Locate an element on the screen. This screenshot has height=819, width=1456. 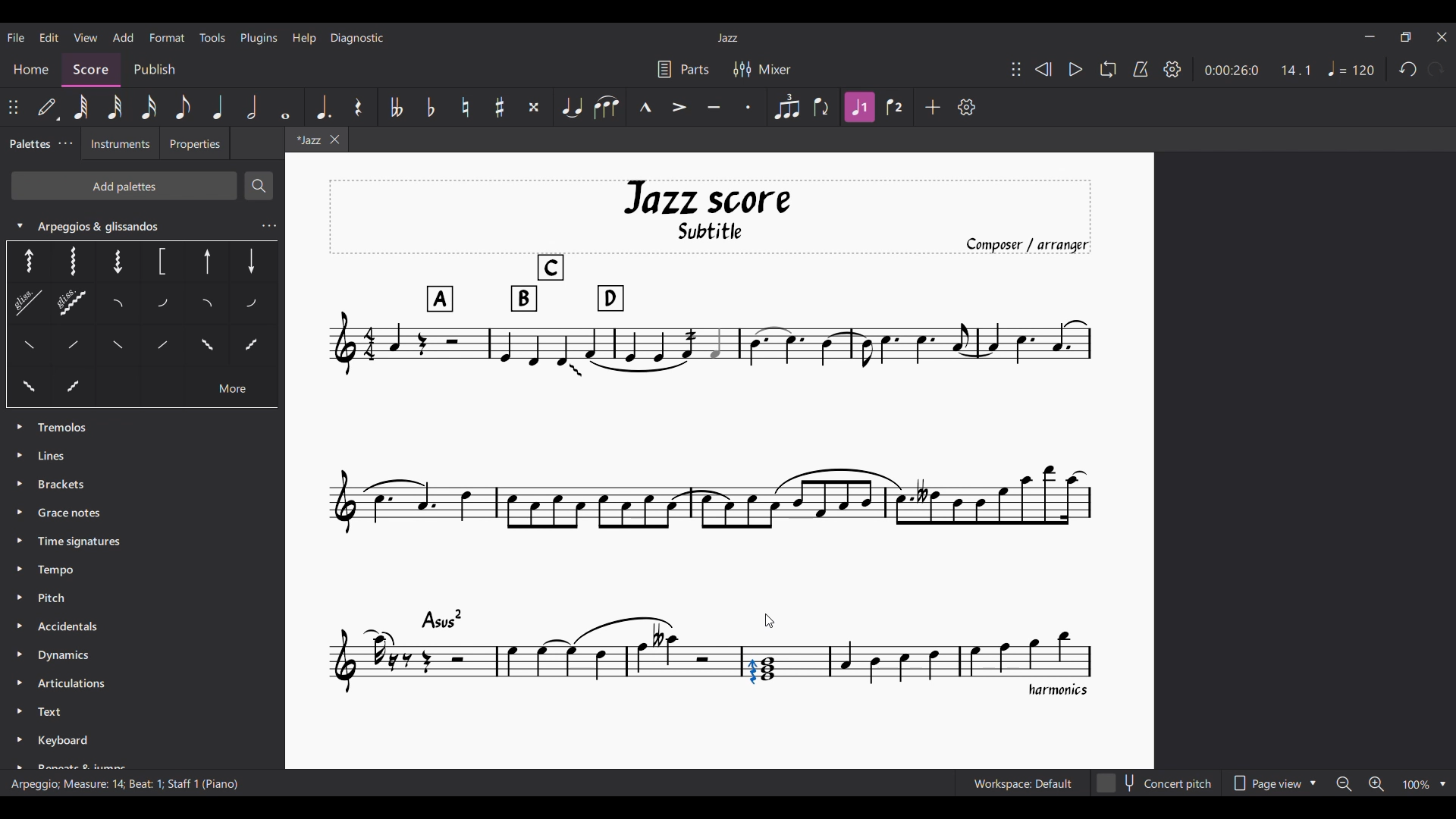
 is located at coordinates (161, 306).